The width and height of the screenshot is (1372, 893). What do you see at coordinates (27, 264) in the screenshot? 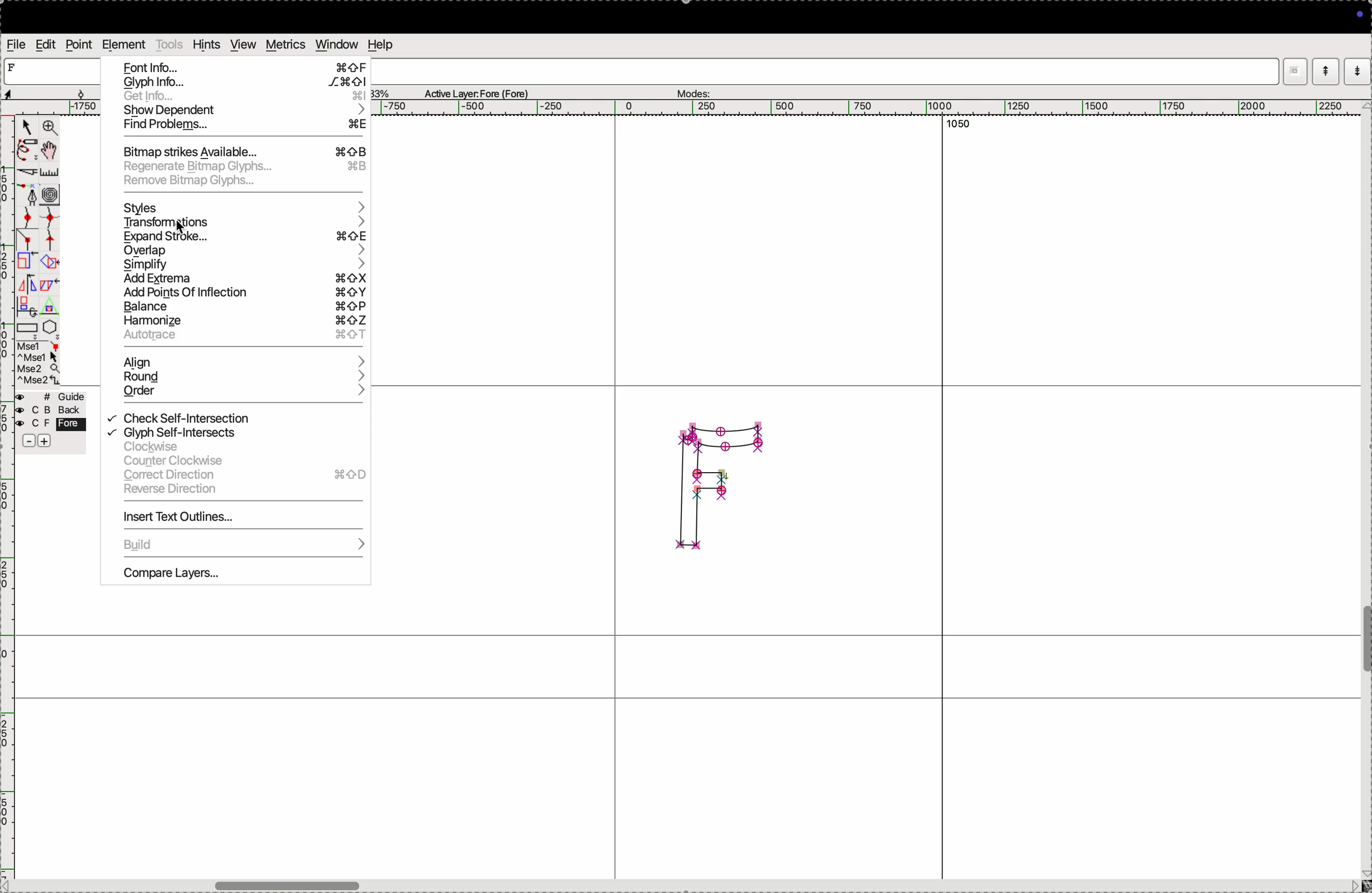
I see `Scale the selection` at bounding box center [27, 264].